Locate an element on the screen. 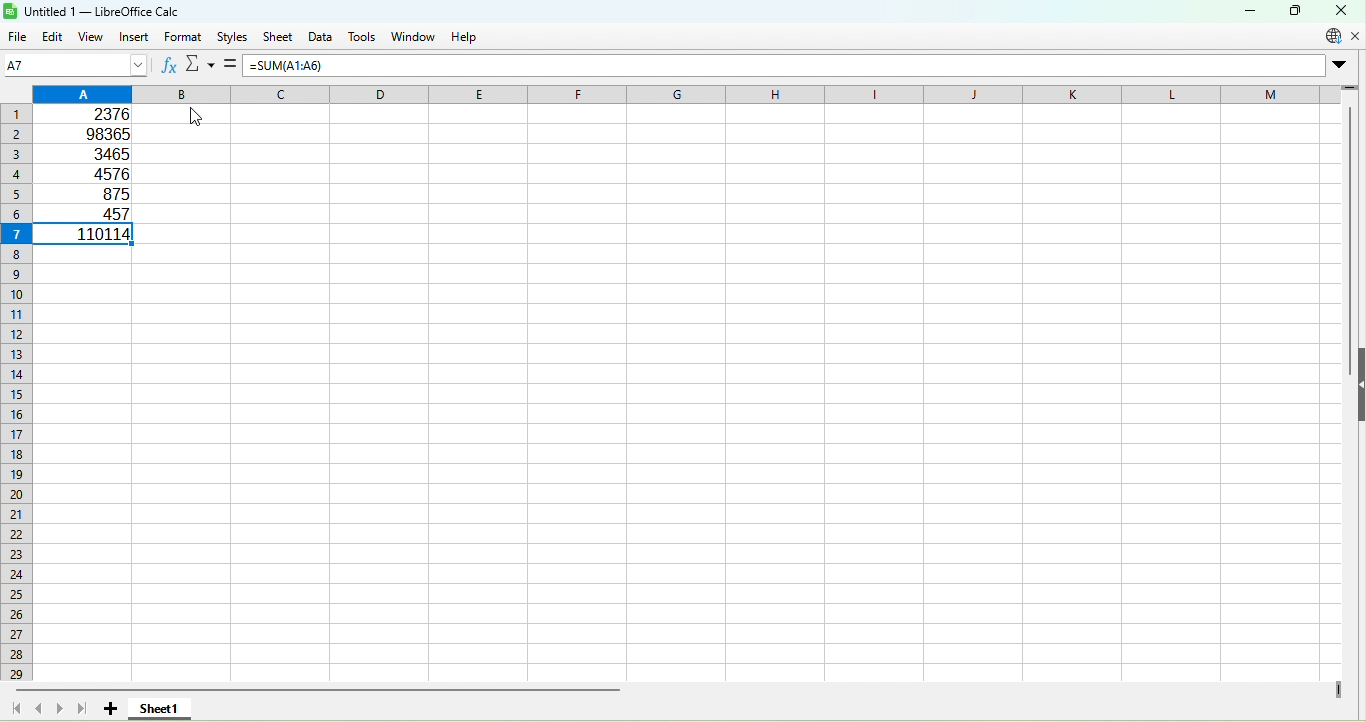 The image size is (1366, 722). Sheet1 is located at coordinates (159, 707).